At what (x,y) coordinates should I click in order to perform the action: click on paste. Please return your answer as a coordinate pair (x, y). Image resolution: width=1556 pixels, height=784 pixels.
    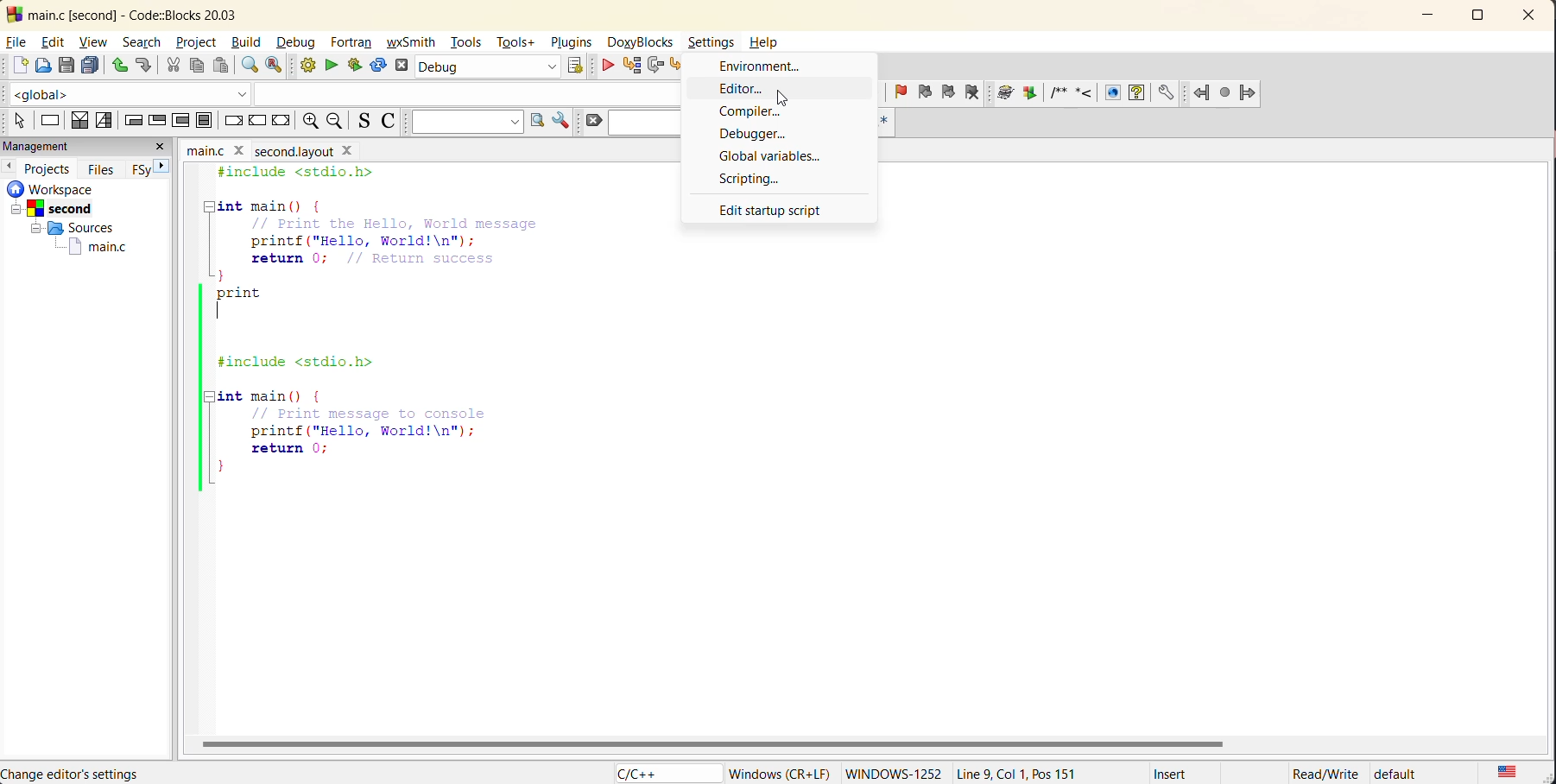
    Looking at the image, I should click on (220, 67).